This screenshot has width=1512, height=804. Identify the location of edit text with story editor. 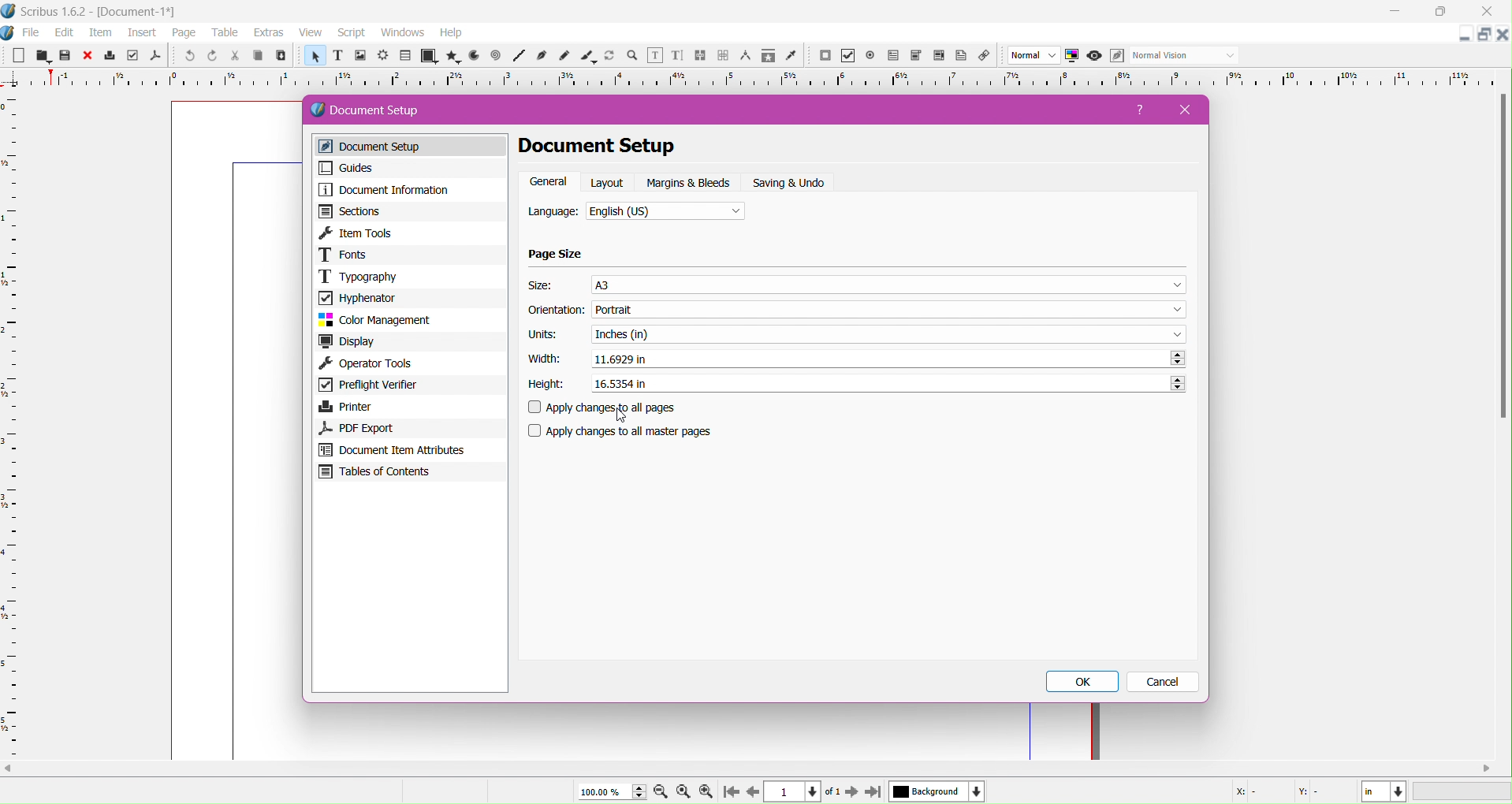
(677, 57).